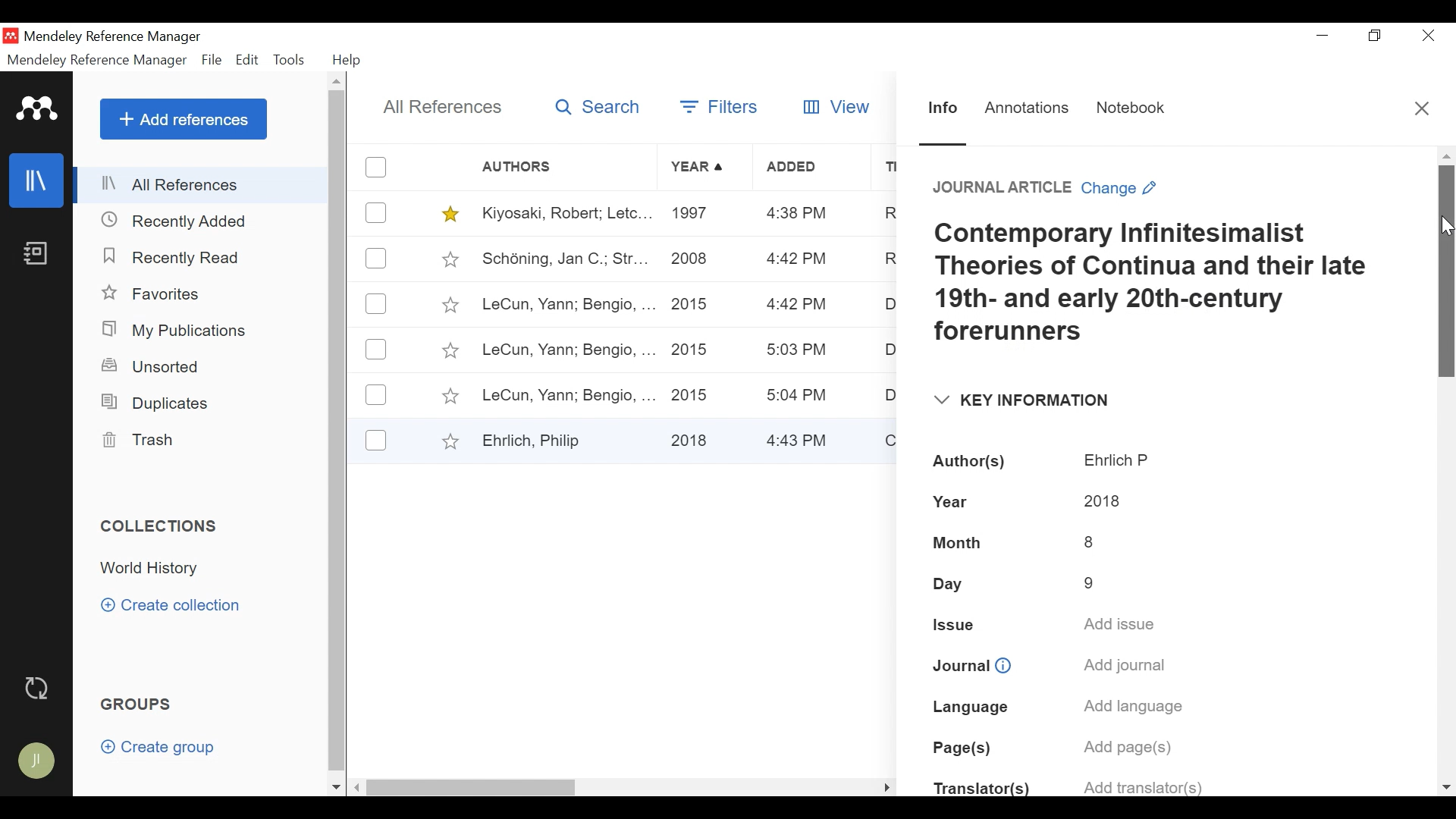 This screenshot has width=1456, height=819. I want to click on Ehrlich P, so click(1119, 461).